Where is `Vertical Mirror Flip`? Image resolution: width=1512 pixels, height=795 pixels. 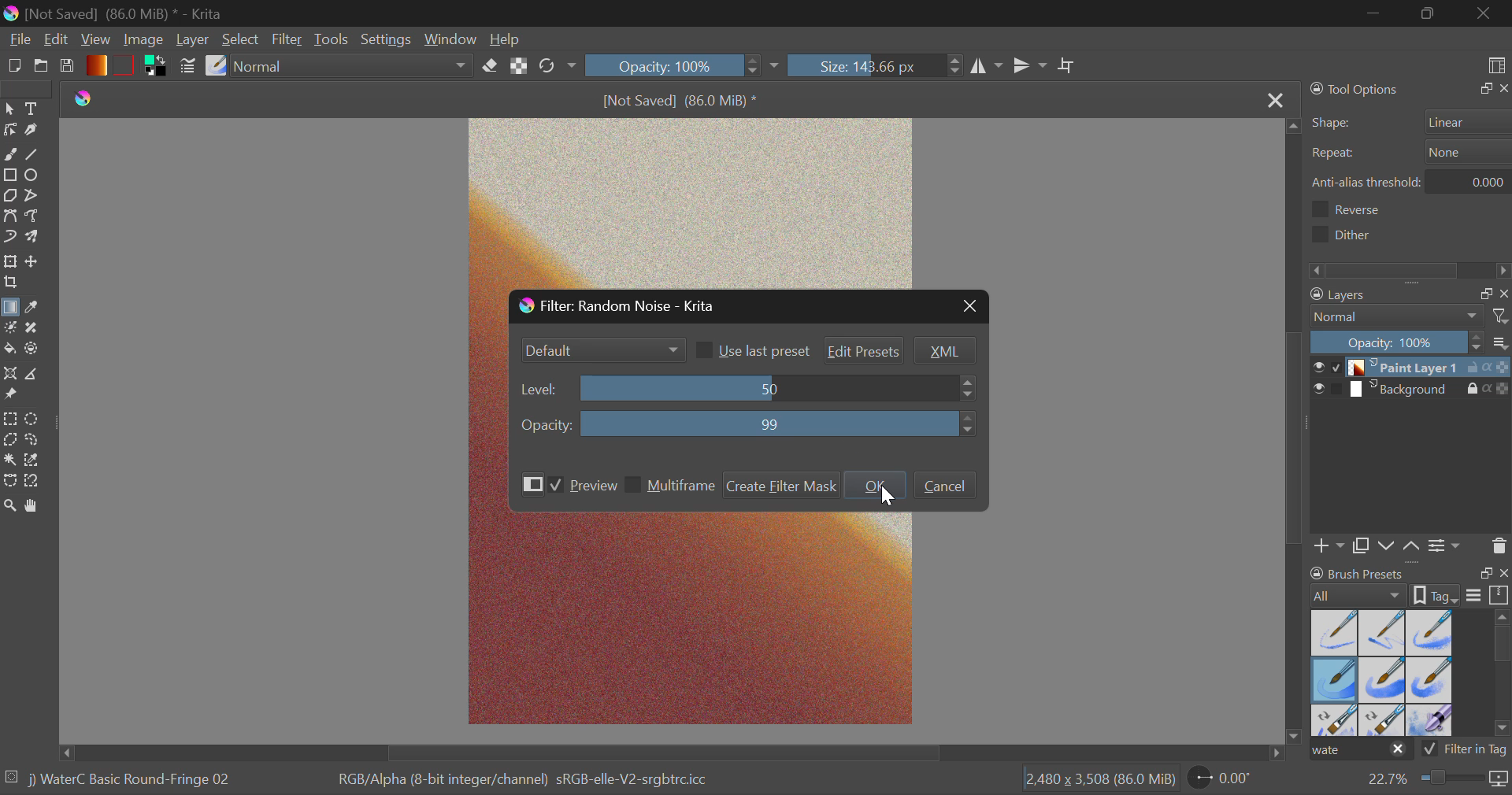 Vertical Mirror Flip is located at coordinates (987, 68).